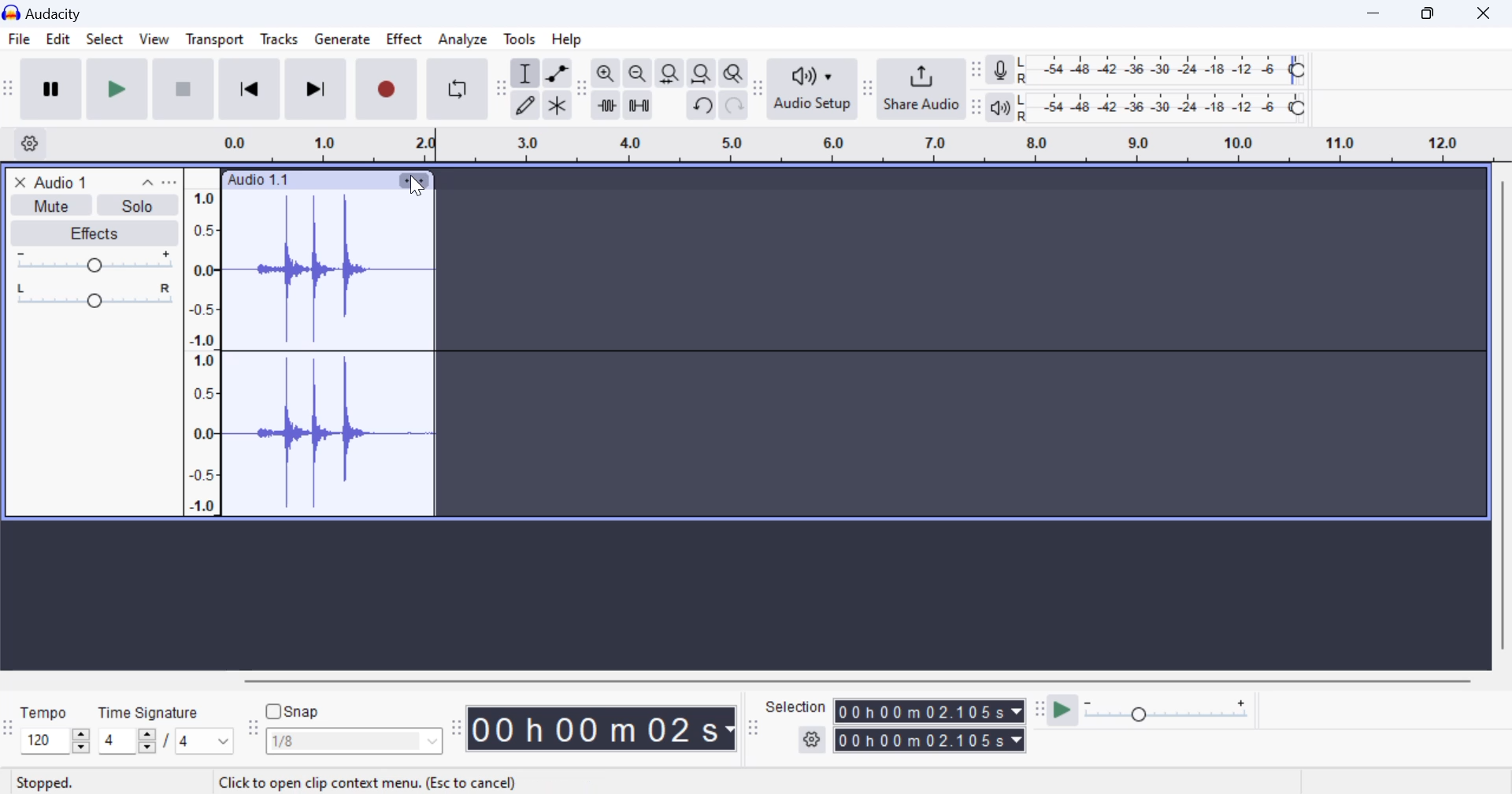  Describe the element at coordinates (46, 784) in the screenshot. I see `Clip Status` at that location.